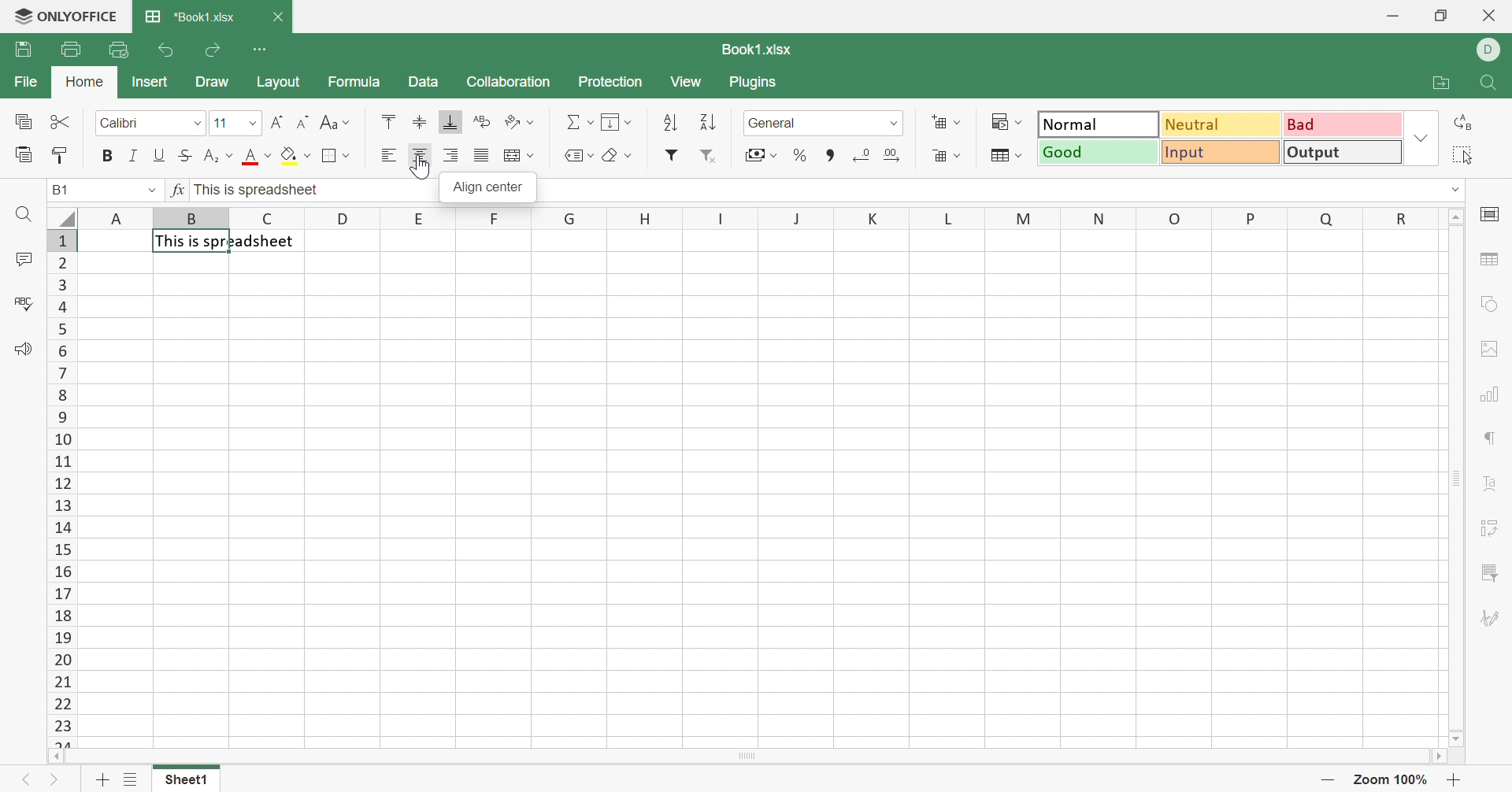 This screenshot has width=1512, height=792. Describe the element at coordinates (213, 53) in the screenshot. I see `Redo` at that location.